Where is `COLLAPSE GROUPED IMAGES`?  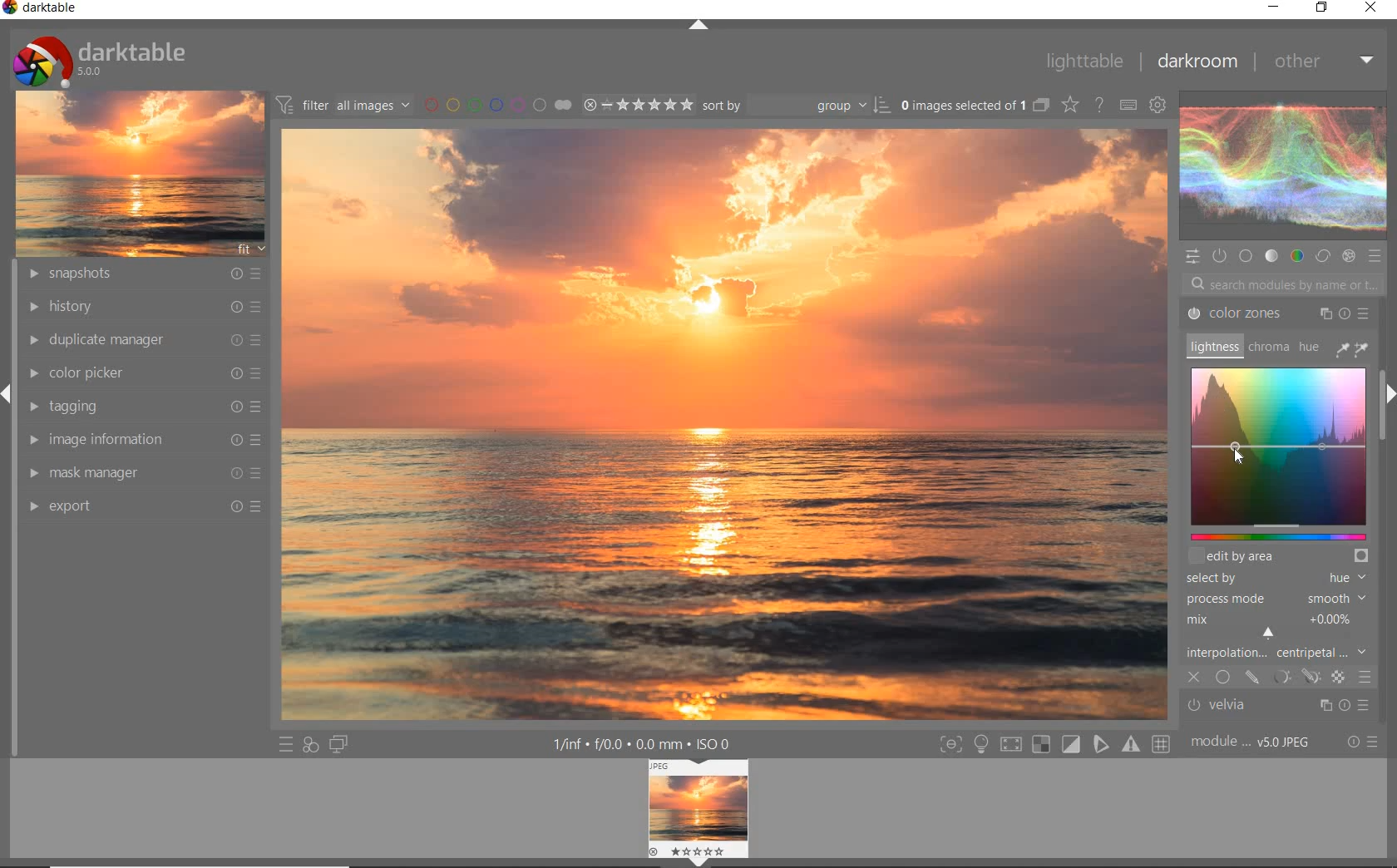
COLLAPSE GROUPED IMAGES is located at coordinates (1040, 104).